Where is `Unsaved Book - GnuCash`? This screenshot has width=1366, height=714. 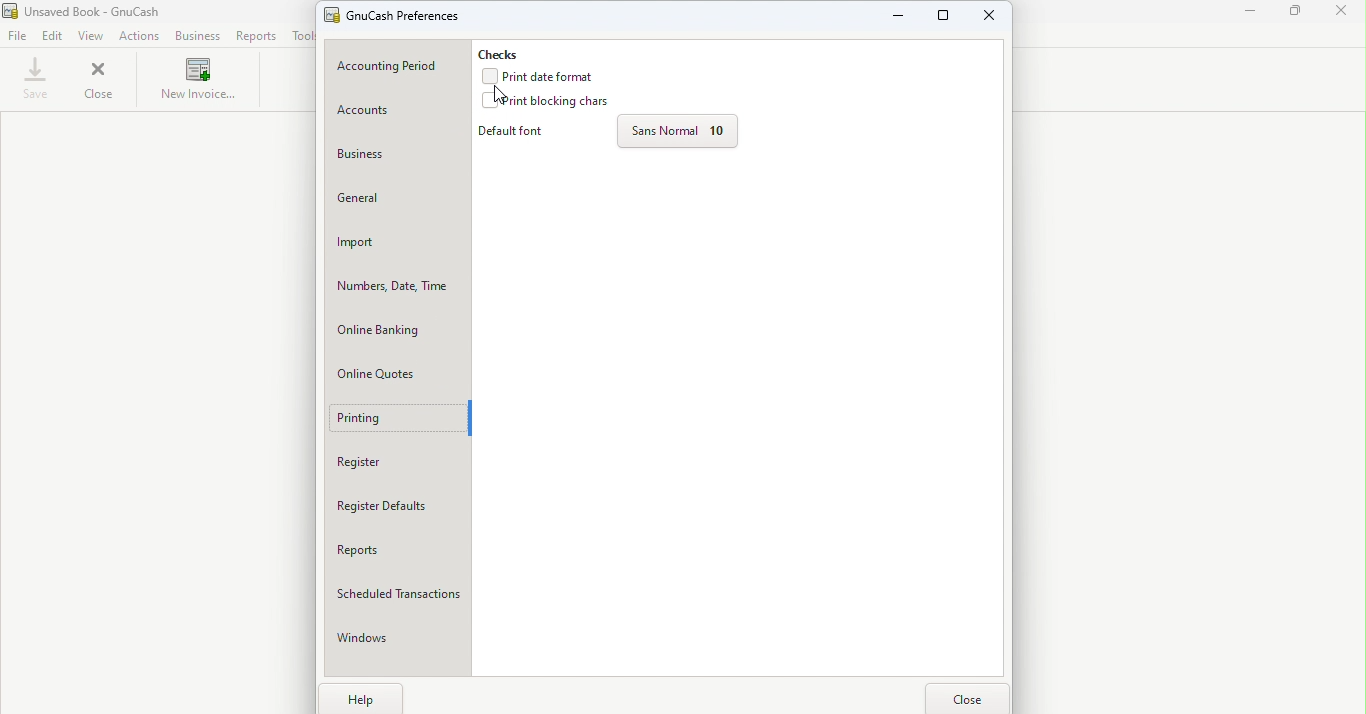 Unsaved Book - GnuCash is located at coordinates (106, 11).